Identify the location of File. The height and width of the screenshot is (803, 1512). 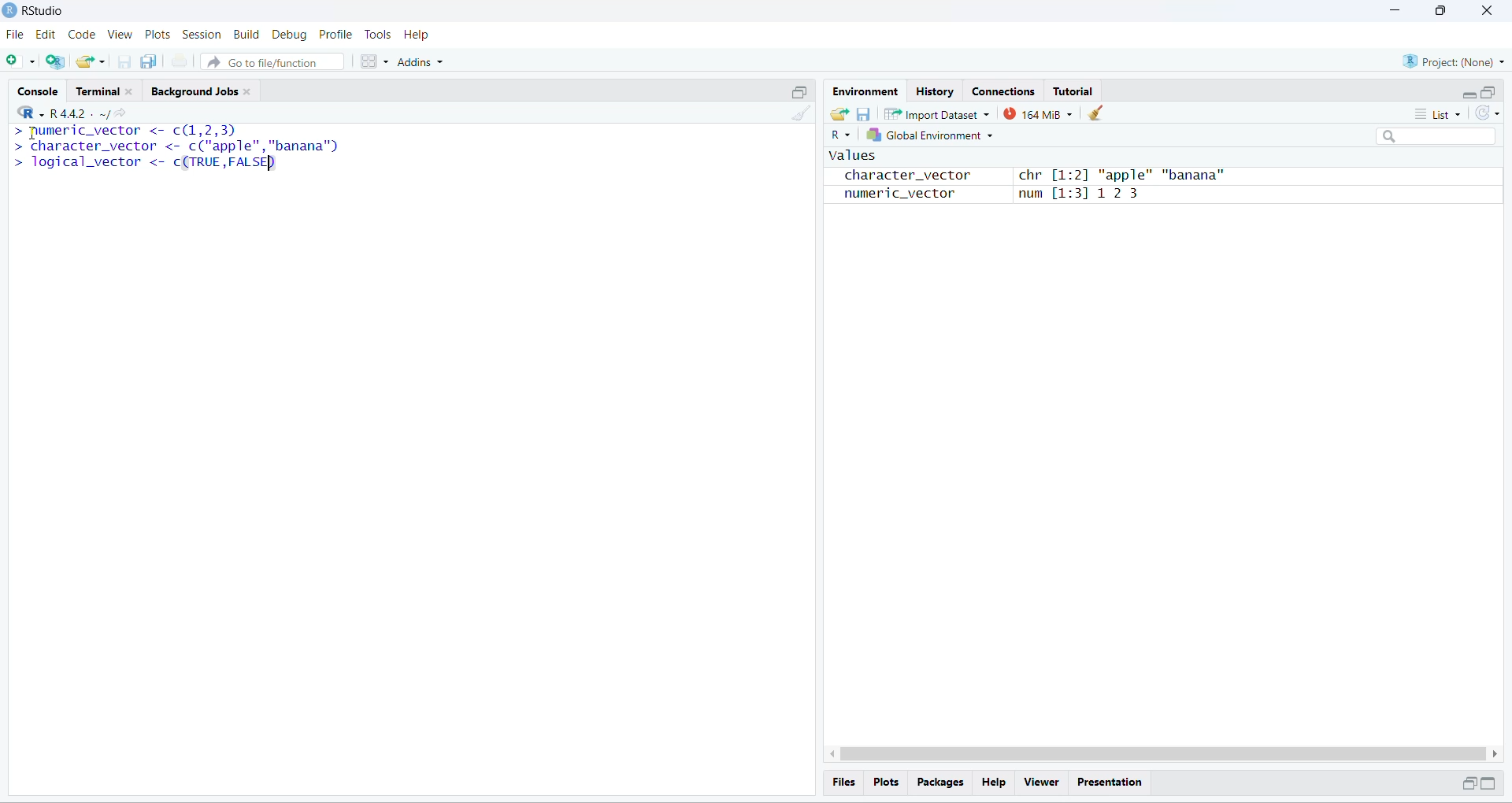
(16, 35).